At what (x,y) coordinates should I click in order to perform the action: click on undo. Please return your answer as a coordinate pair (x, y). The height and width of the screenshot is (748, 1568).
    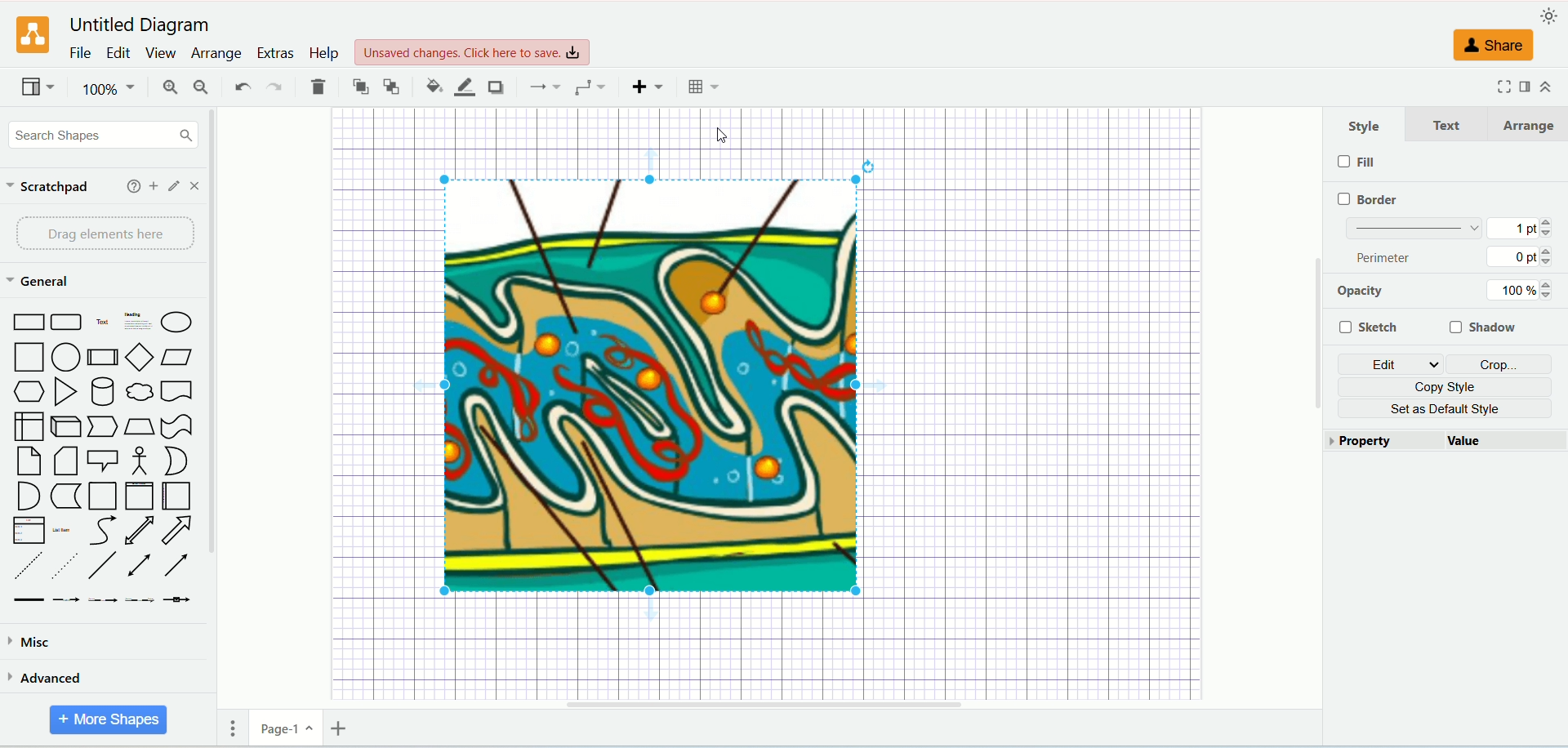
    Looking at the image, I should click on (238, 86).